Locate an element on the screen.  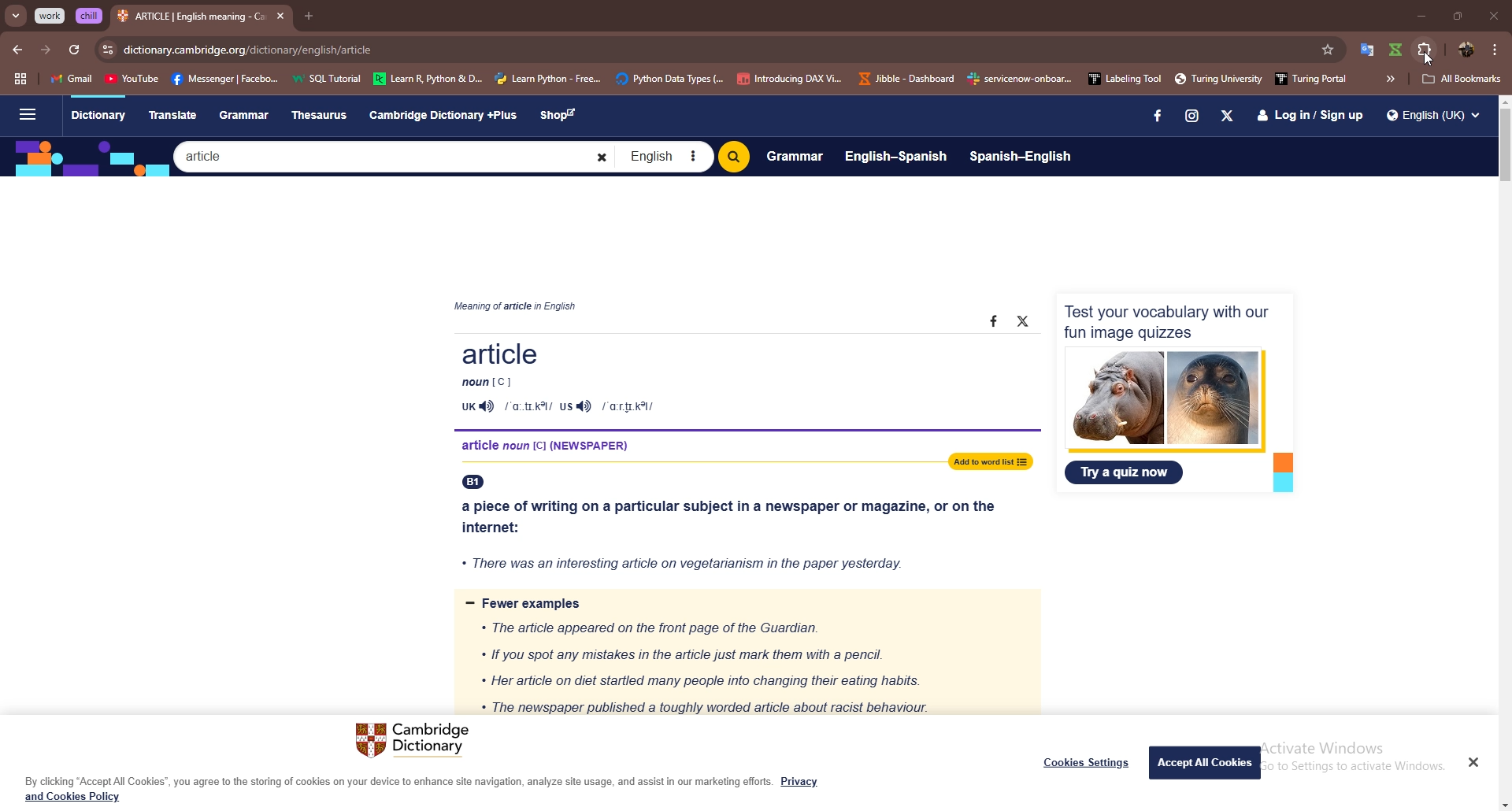
back is located at coordinates (17, 50).